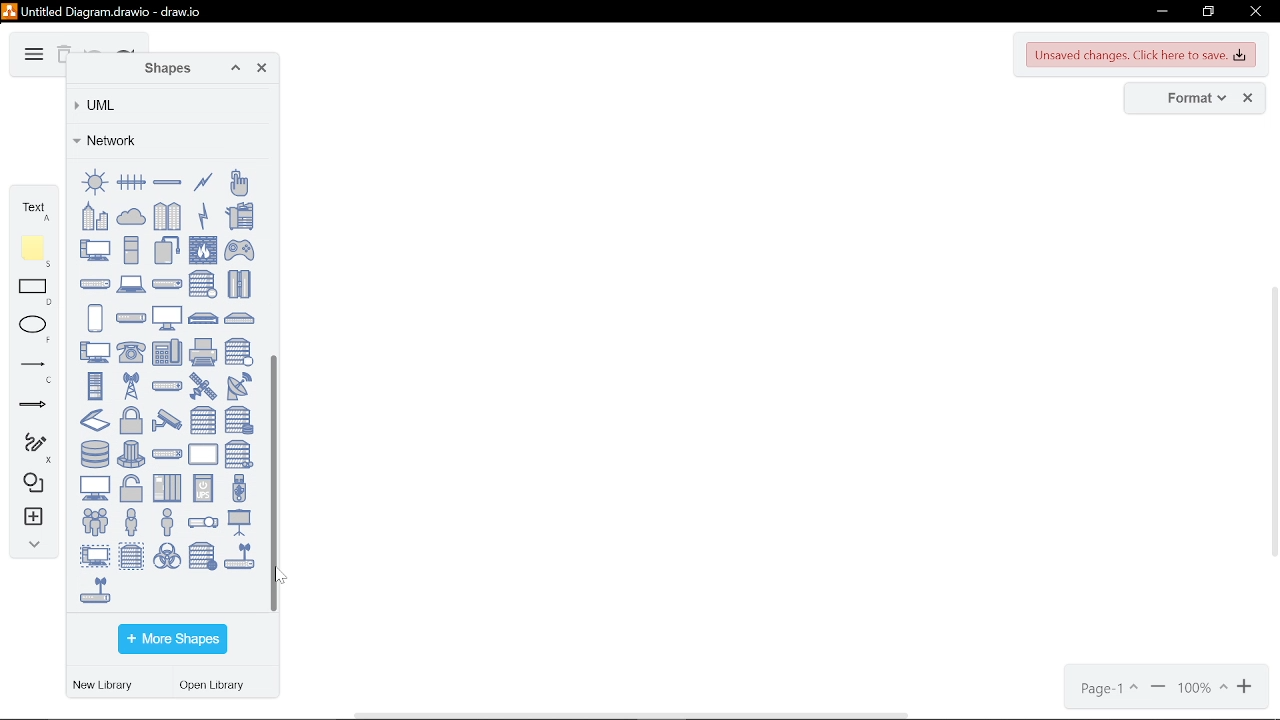  I want to click on open library, so click(217, 687).